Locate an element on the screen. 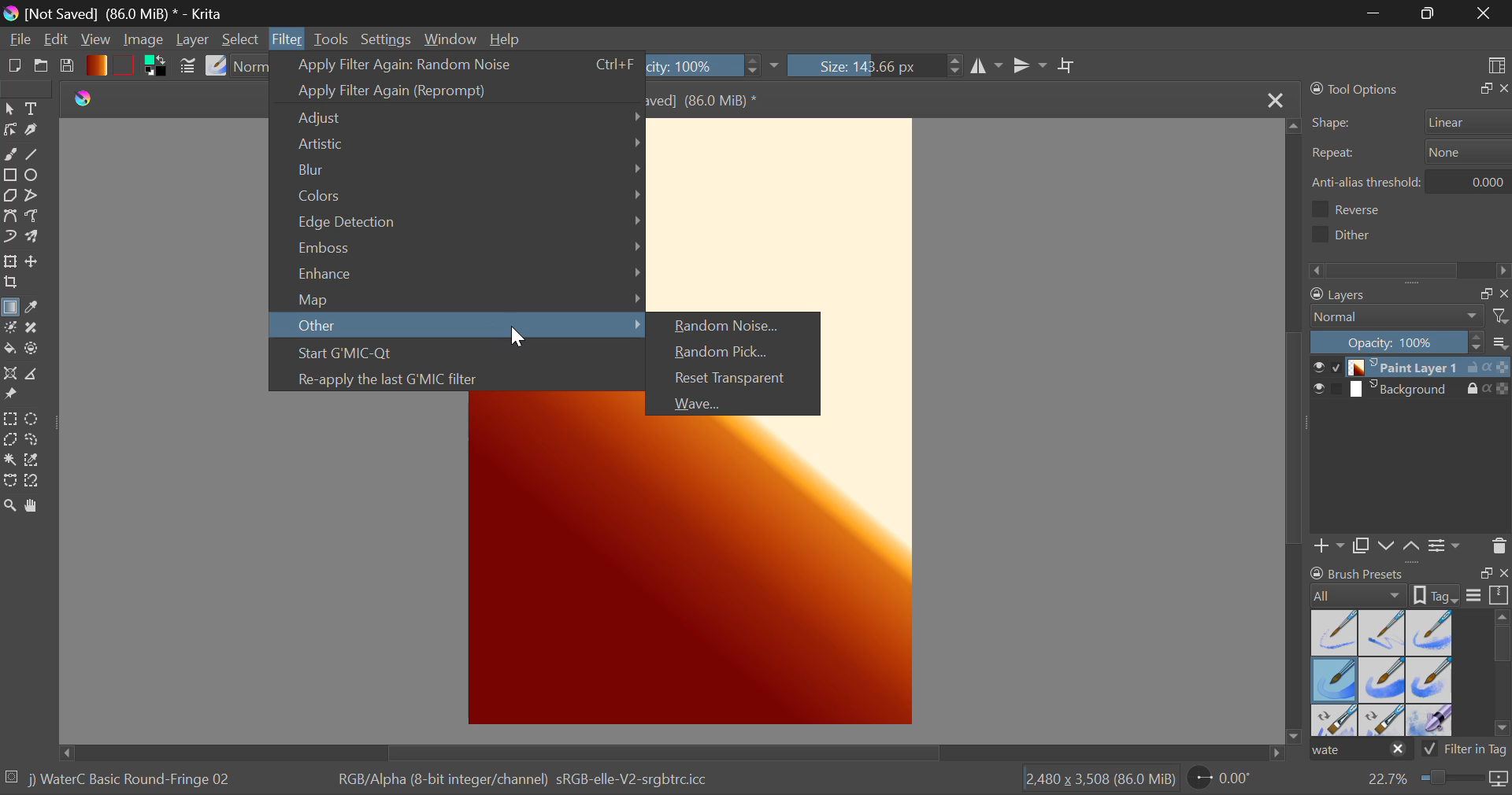  Image is located at coordinates (146, 42).